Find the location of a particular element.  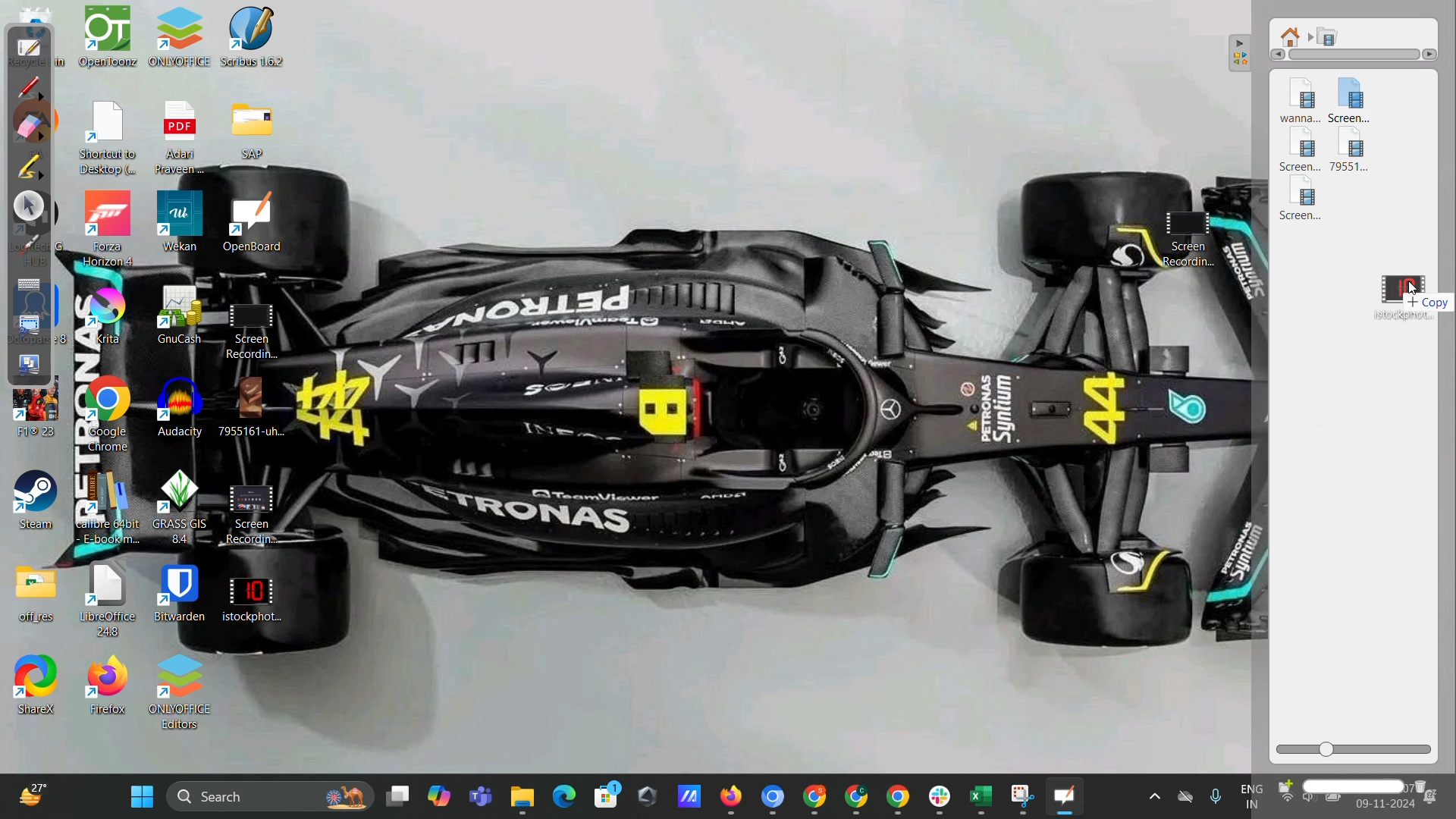

Microsoft teams is located at coordinates (475, 799).